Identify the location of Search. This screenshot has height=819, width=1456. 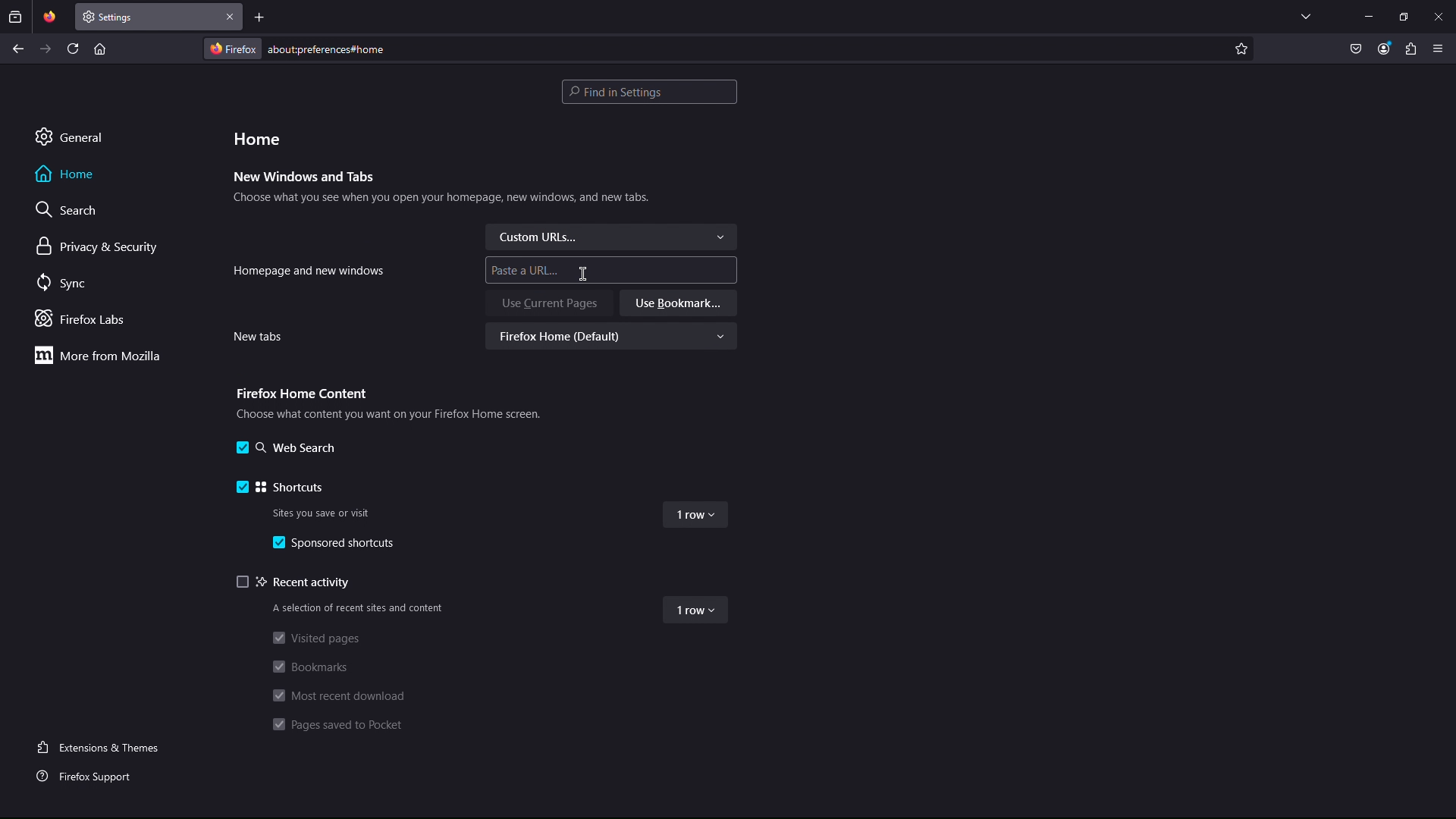
(69, 209).